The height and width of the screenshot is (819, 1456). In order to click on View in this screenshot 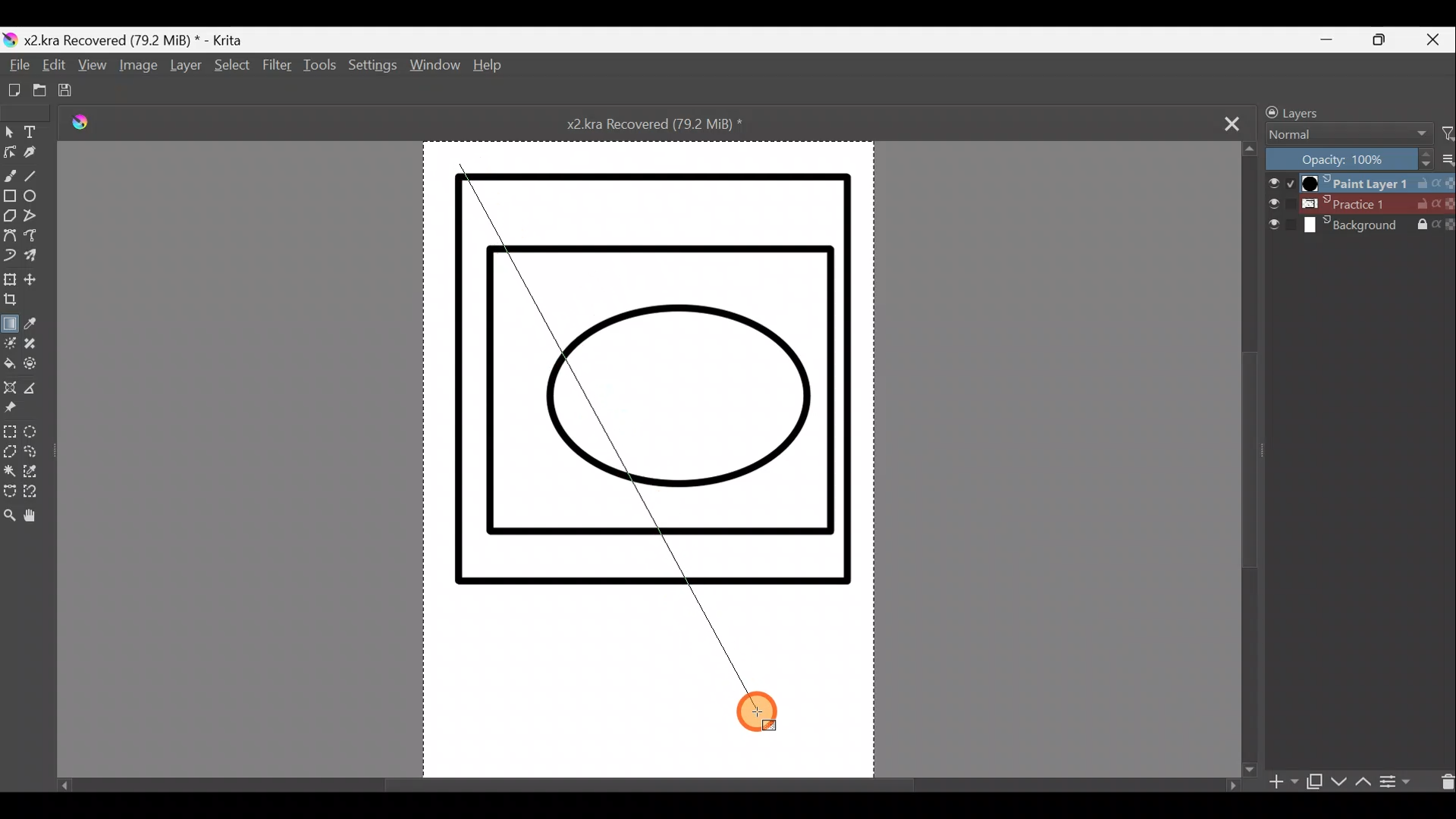, I will do `click(93, 69)`.